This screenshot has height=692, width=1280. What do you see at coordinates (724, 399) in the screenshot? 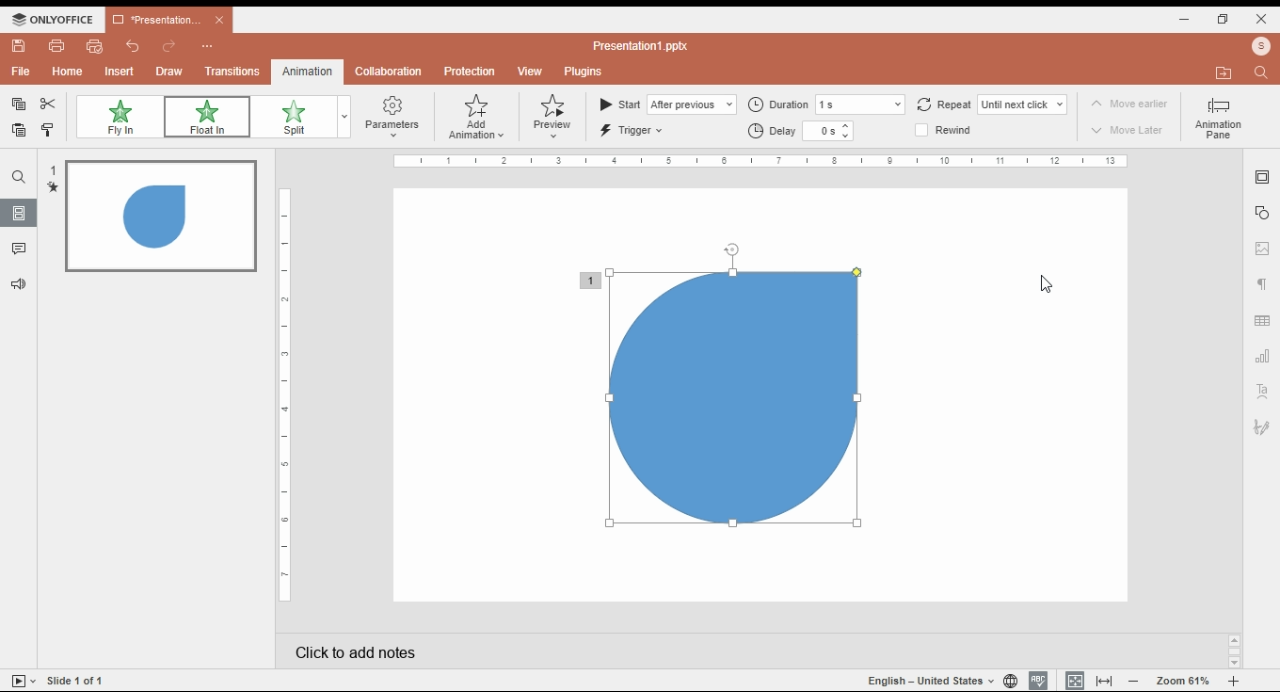
I see `shape` at bounding box center [724, 399].